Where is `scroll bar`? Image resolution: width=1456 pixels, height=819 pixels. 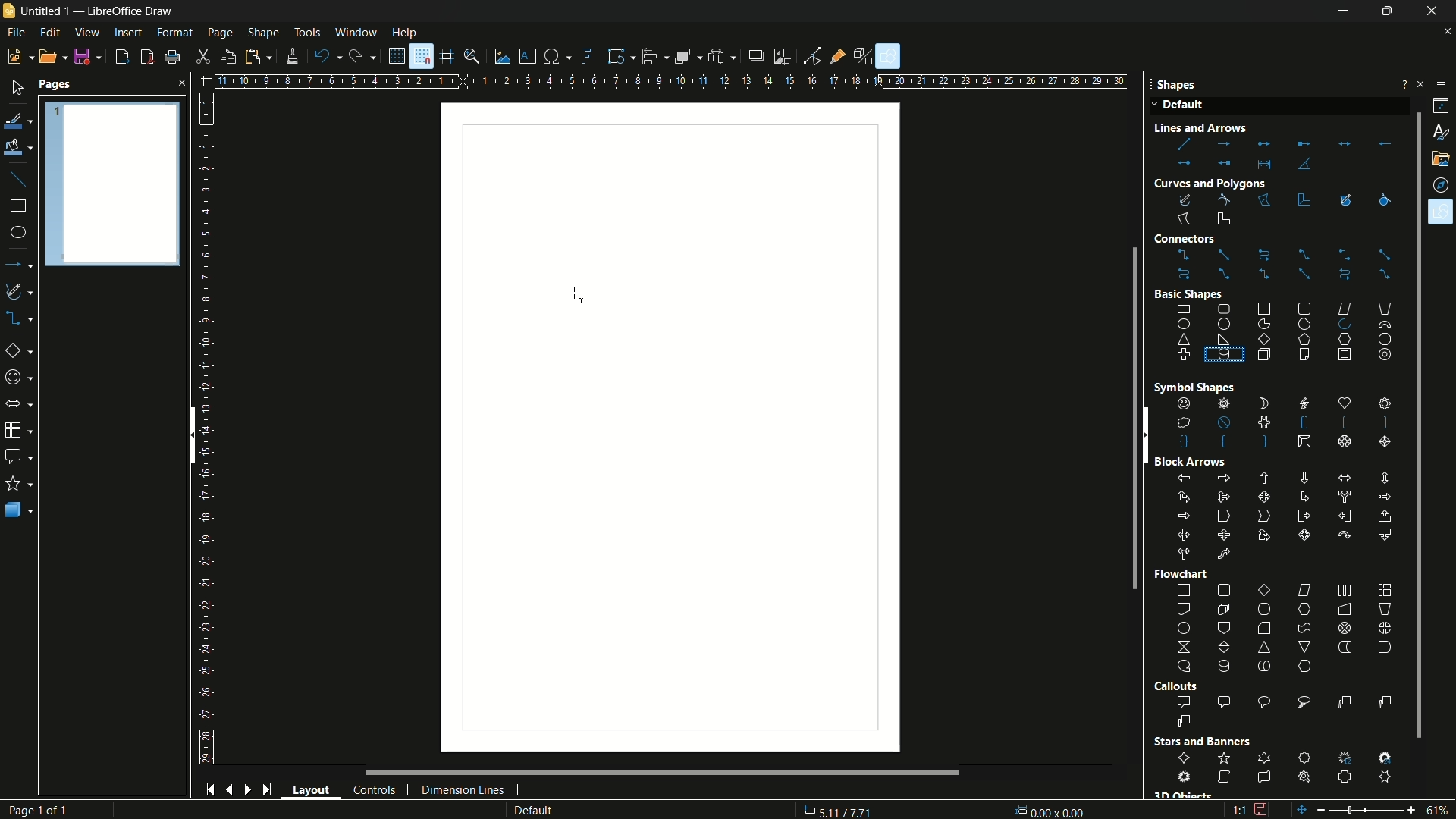 scroll bar is located at coordinates (190, 435).